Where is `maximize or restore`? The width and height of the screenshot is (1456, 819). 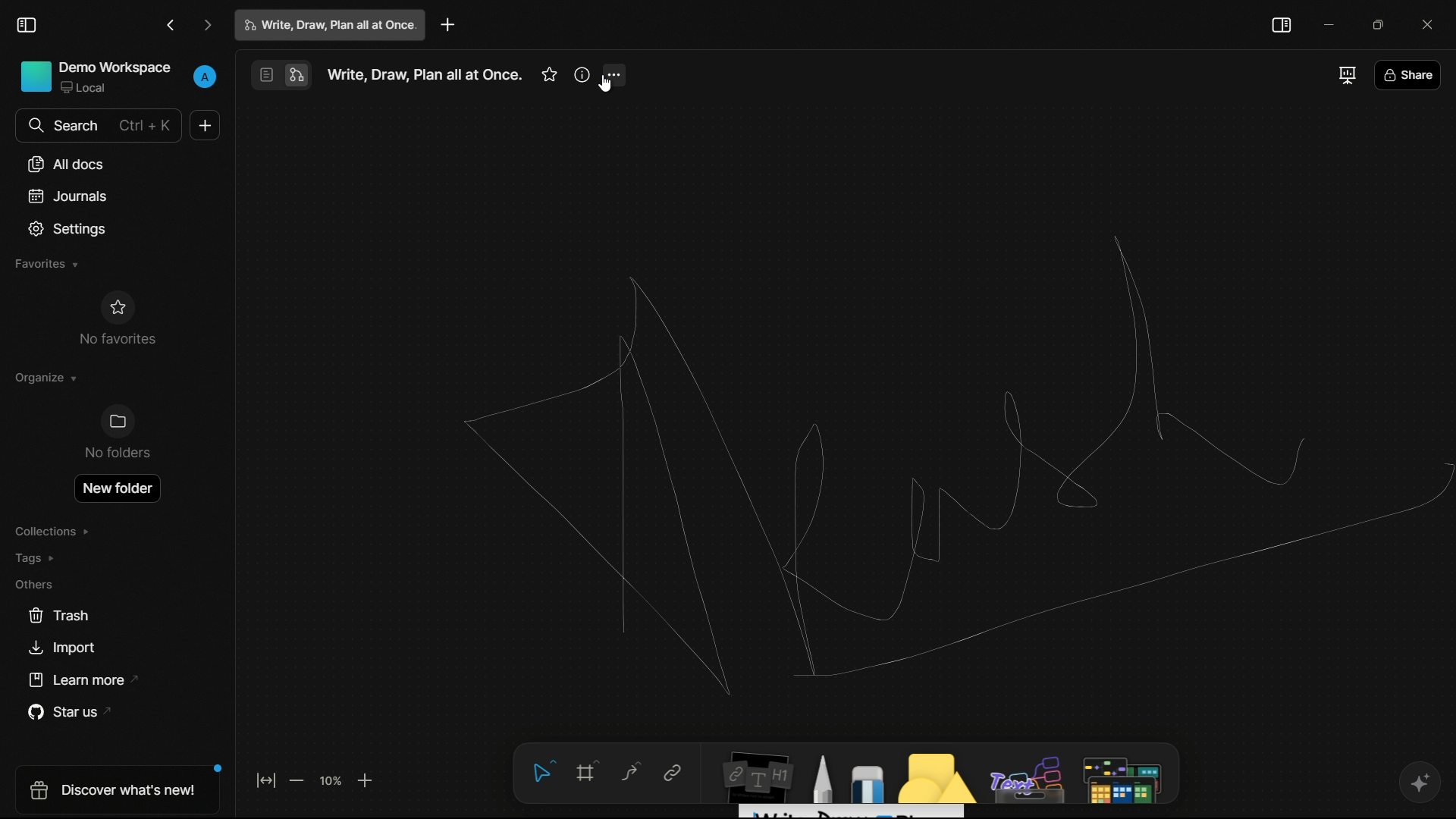 maximize or restore is located at coordinates (1376, 26).